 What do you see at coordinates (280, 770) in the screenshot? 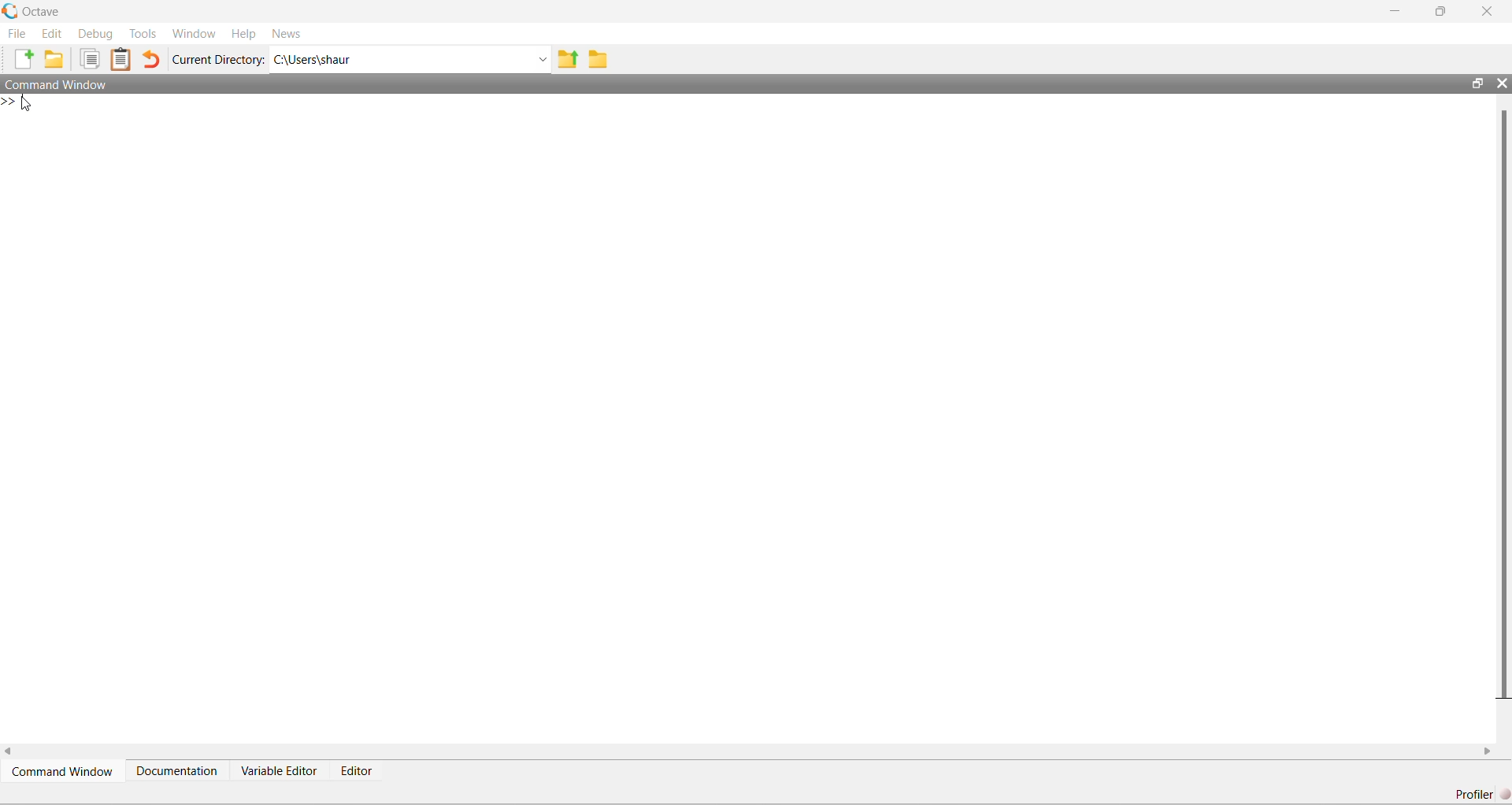
I see `Variable Editor` at bounding box center [280, 770].